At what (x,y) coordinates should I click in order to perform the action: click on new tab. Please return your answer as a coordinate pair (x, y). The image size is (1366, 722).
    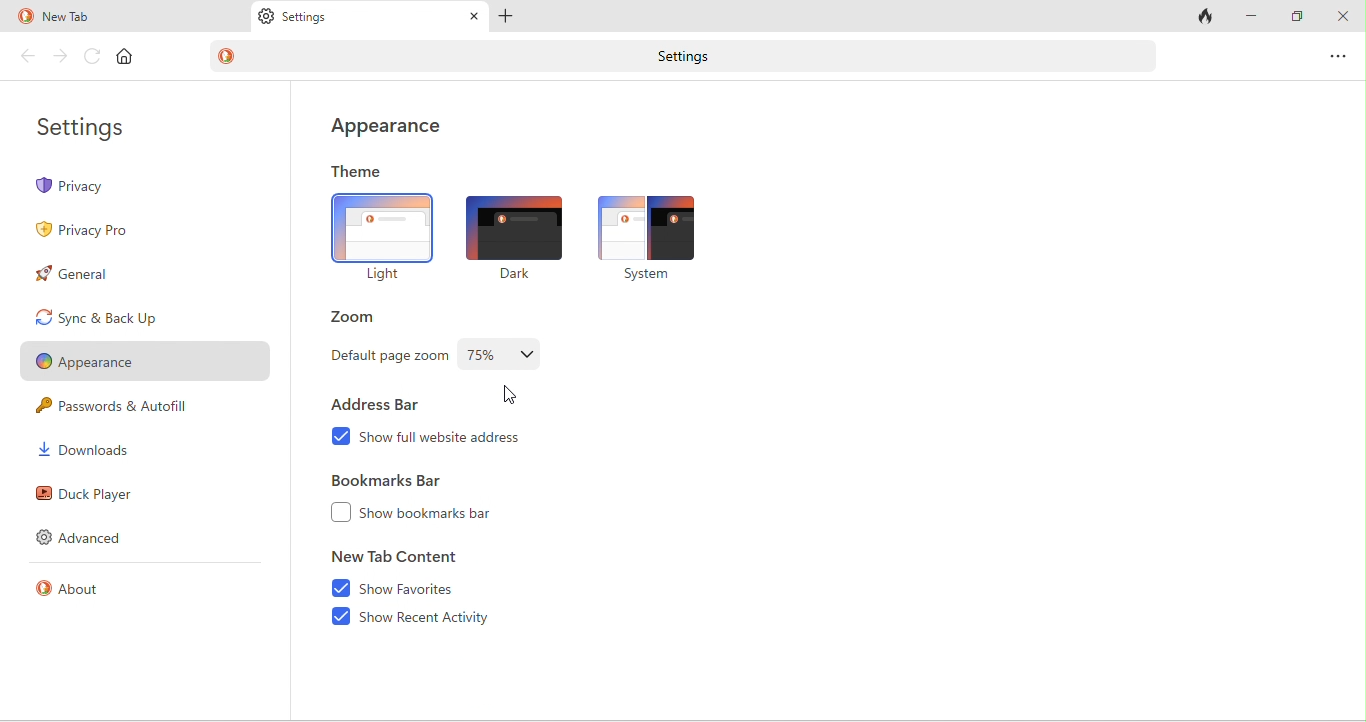
    Looking at the image, I should click on (98, 18).